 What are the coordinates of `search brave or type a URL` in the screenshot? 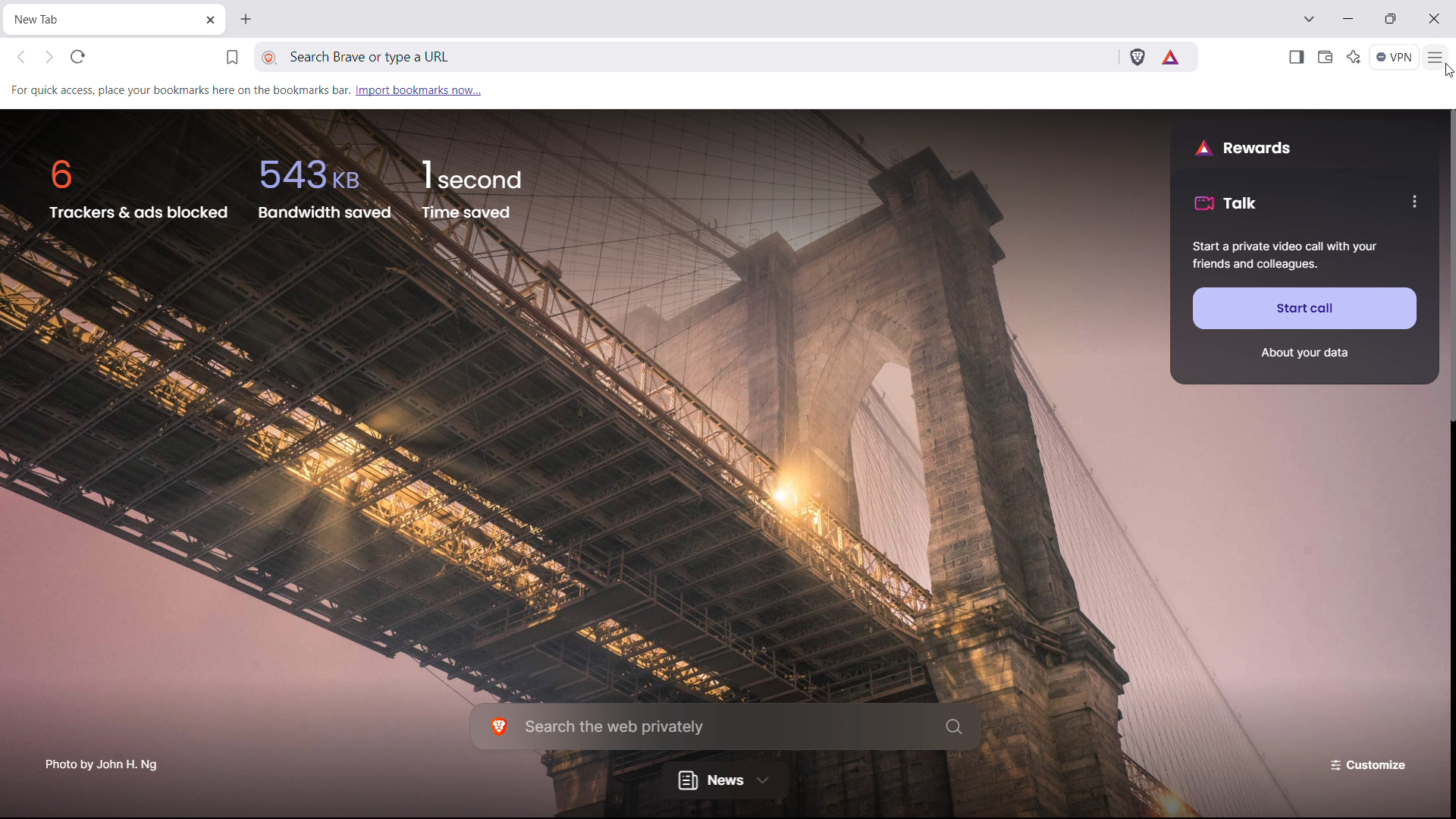 It's located at (700, 55).